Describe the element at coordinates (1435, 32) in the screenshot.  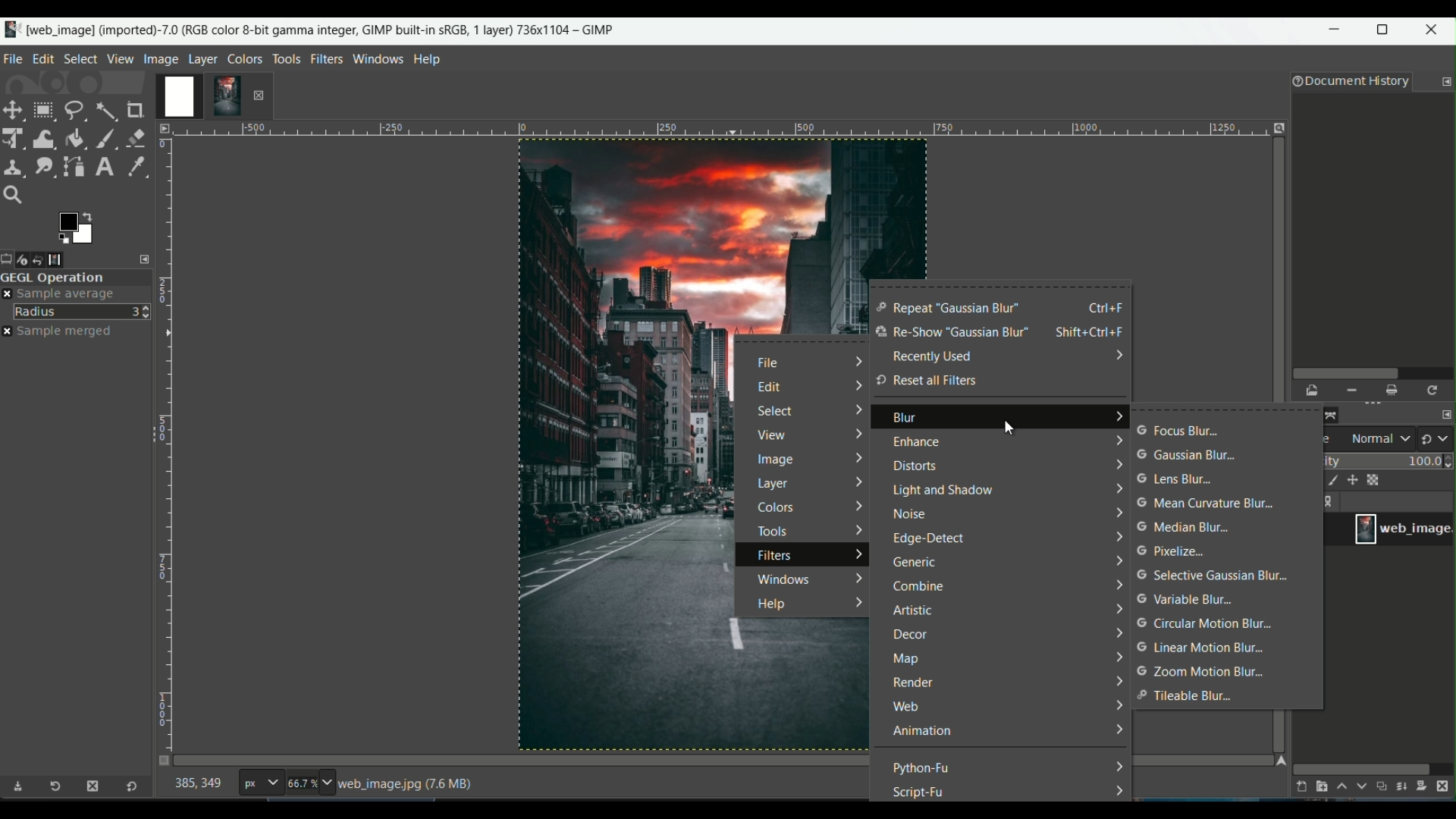
I see `close window` at that location.